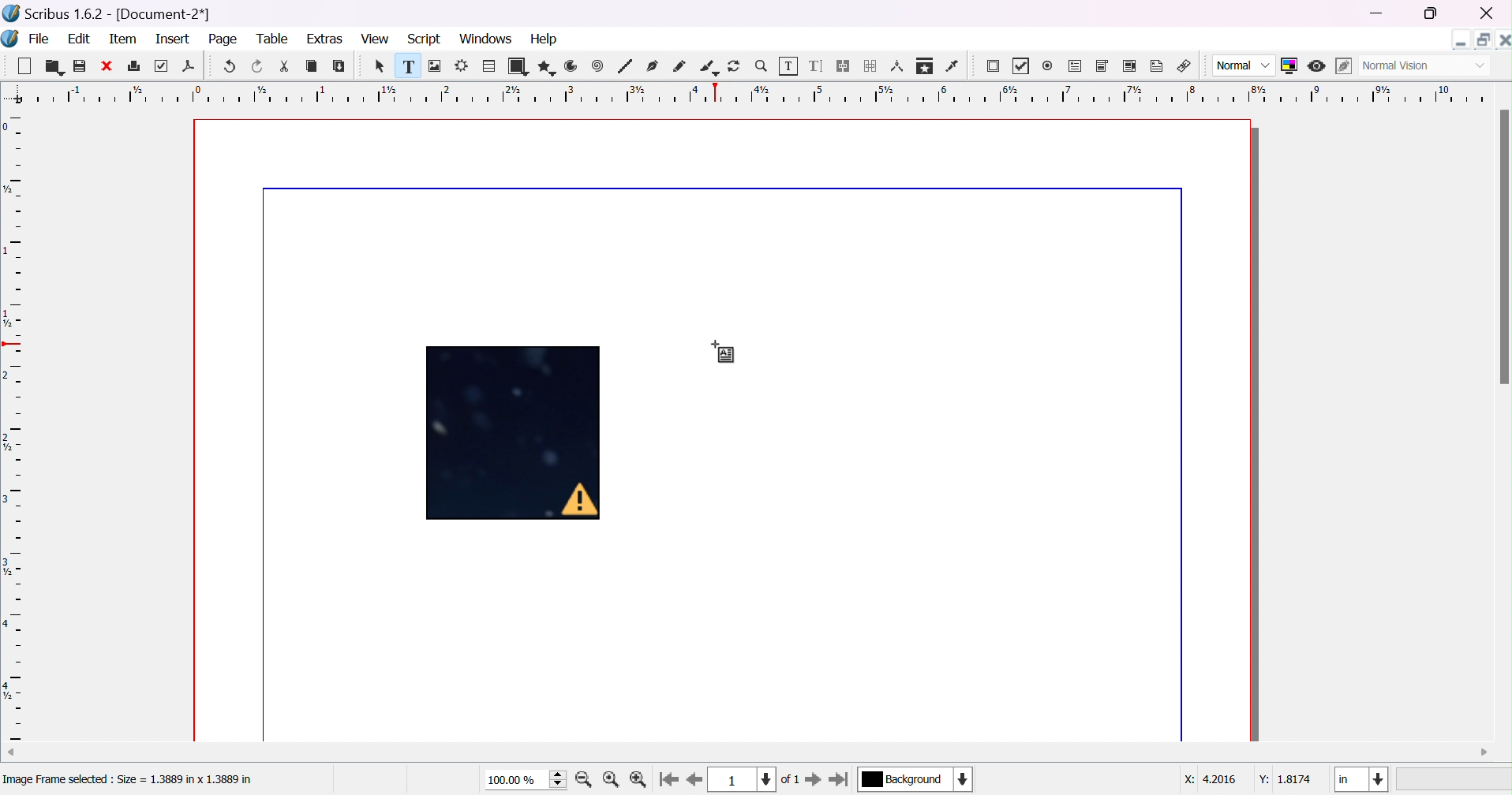 This screenshot has height=795, width=1512. Describe the element at coordinates (995, 68) in the screenshot. I see `PDF push button` at that location.